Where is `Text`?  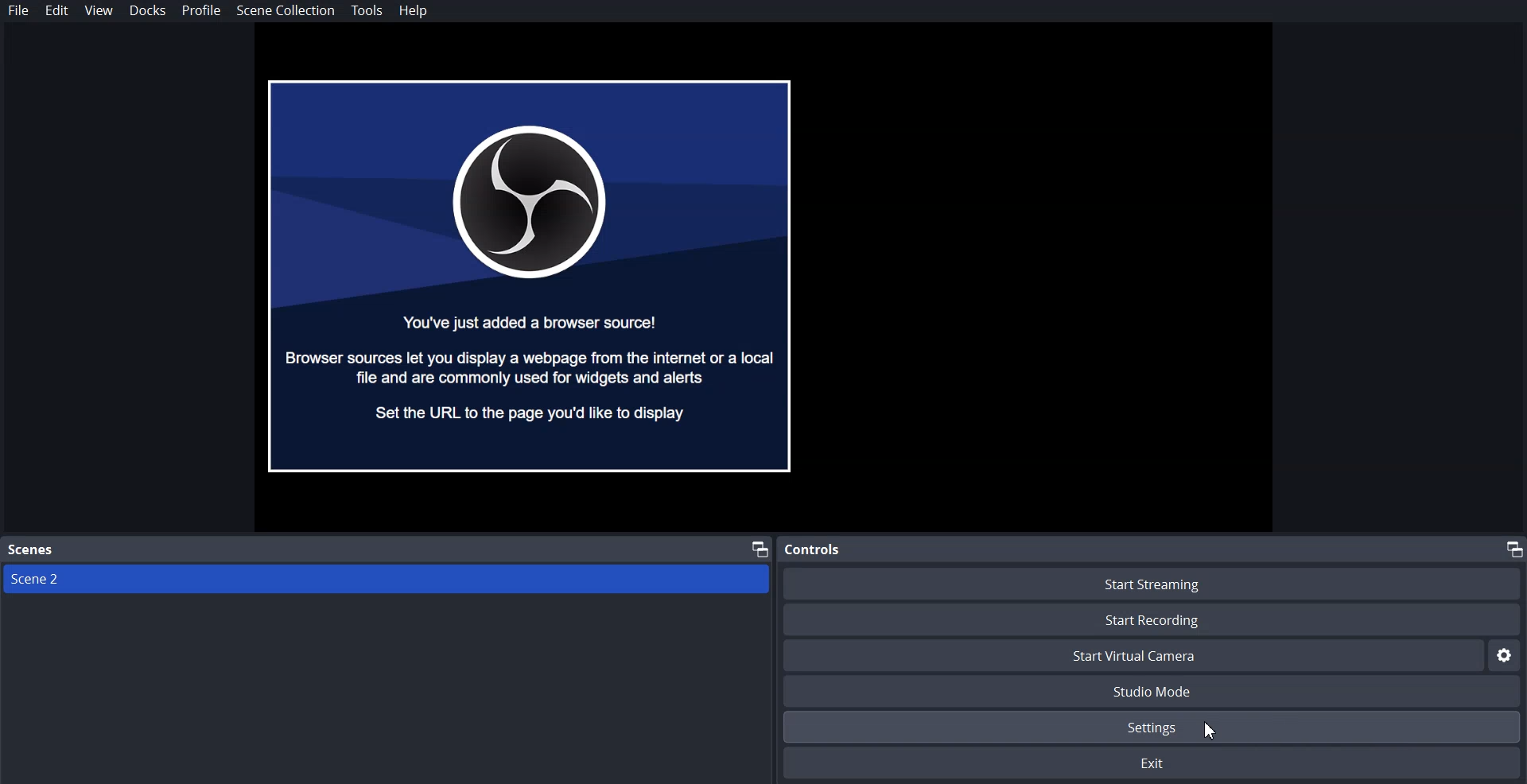
Text is located at coordinates (812, 549).